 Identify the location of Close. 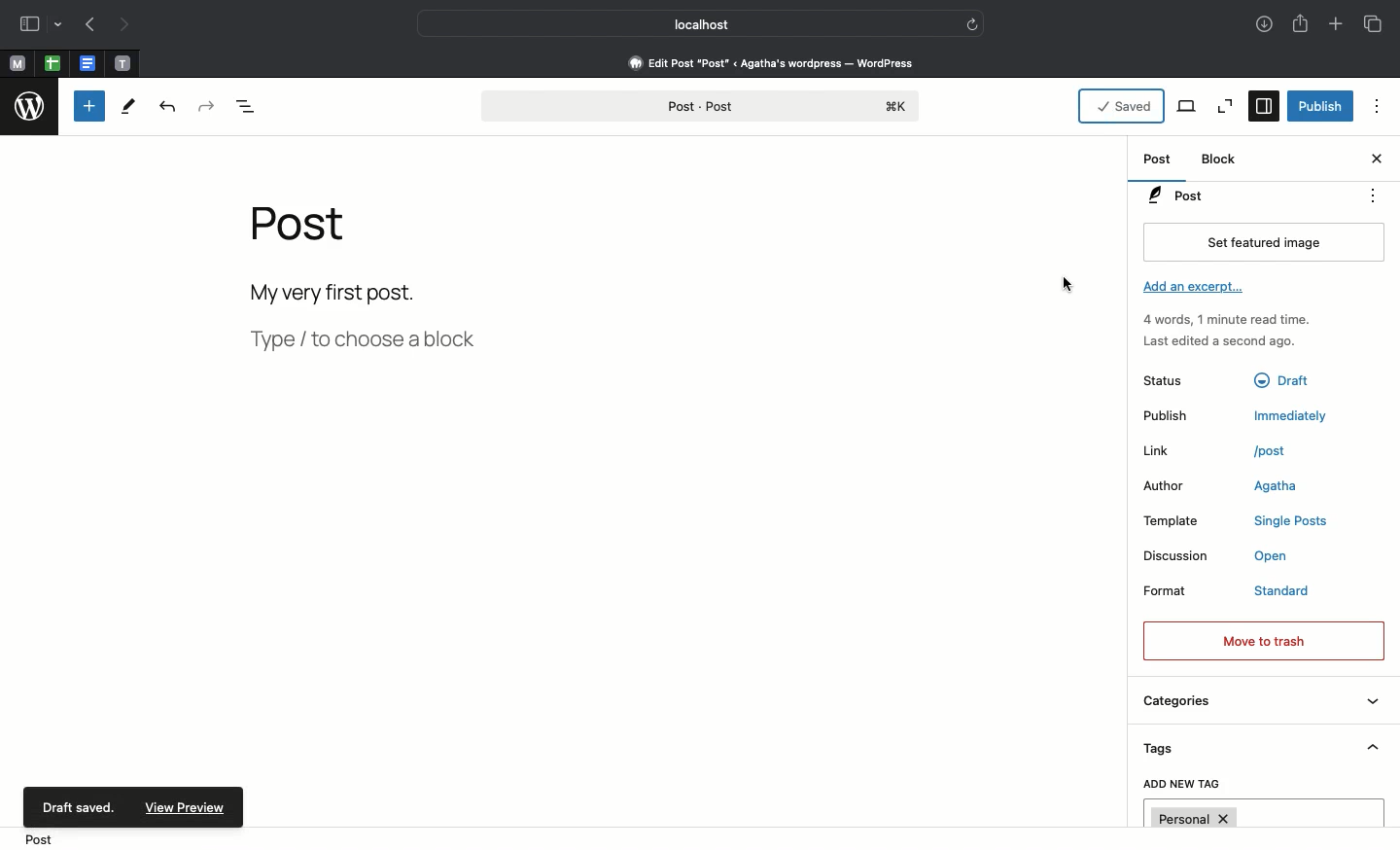
(1376, 160).